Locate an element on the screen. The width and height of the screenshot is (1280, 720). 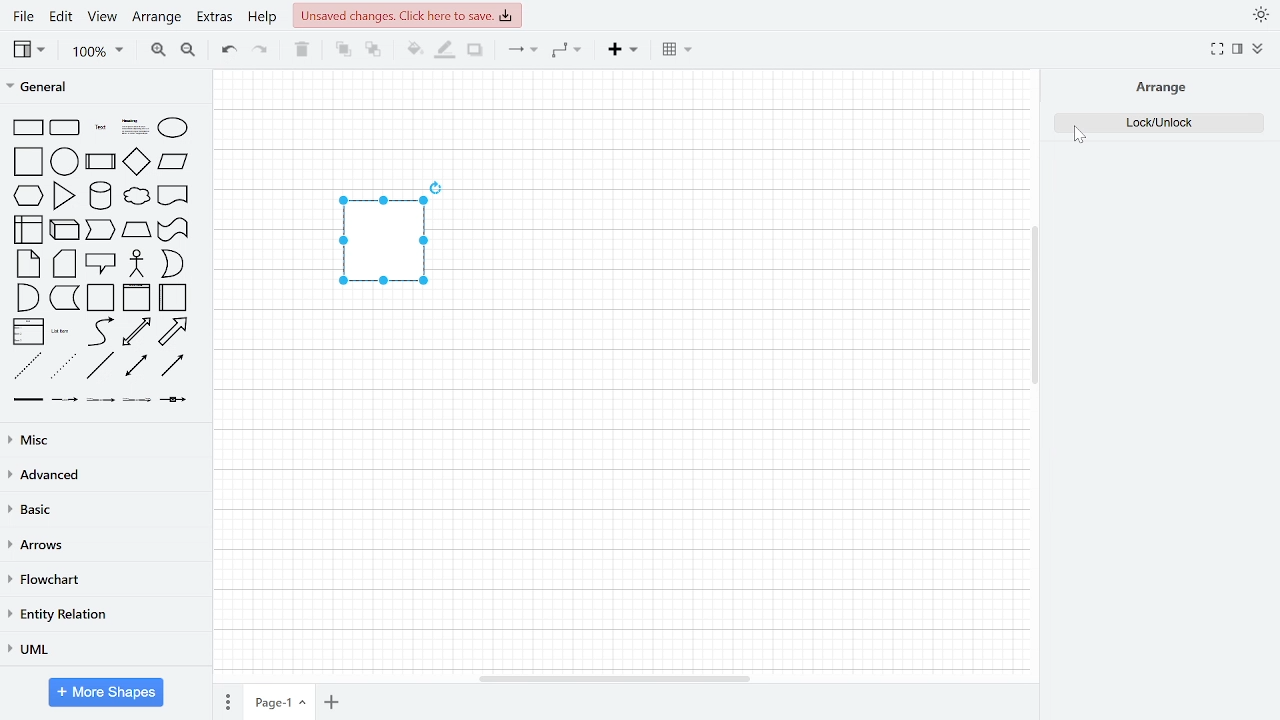
or is located at coordinates (171, 264).